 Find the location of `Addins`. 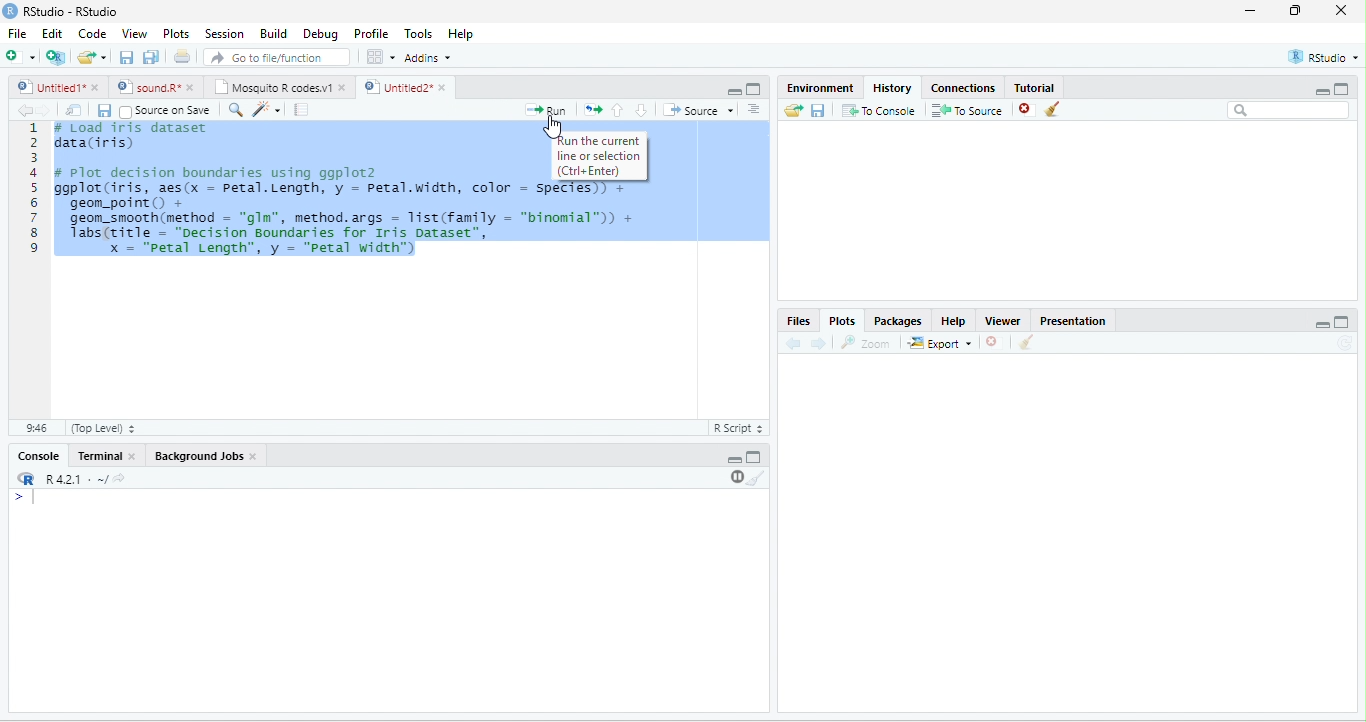

Addins is located at coordinates (428, 58).